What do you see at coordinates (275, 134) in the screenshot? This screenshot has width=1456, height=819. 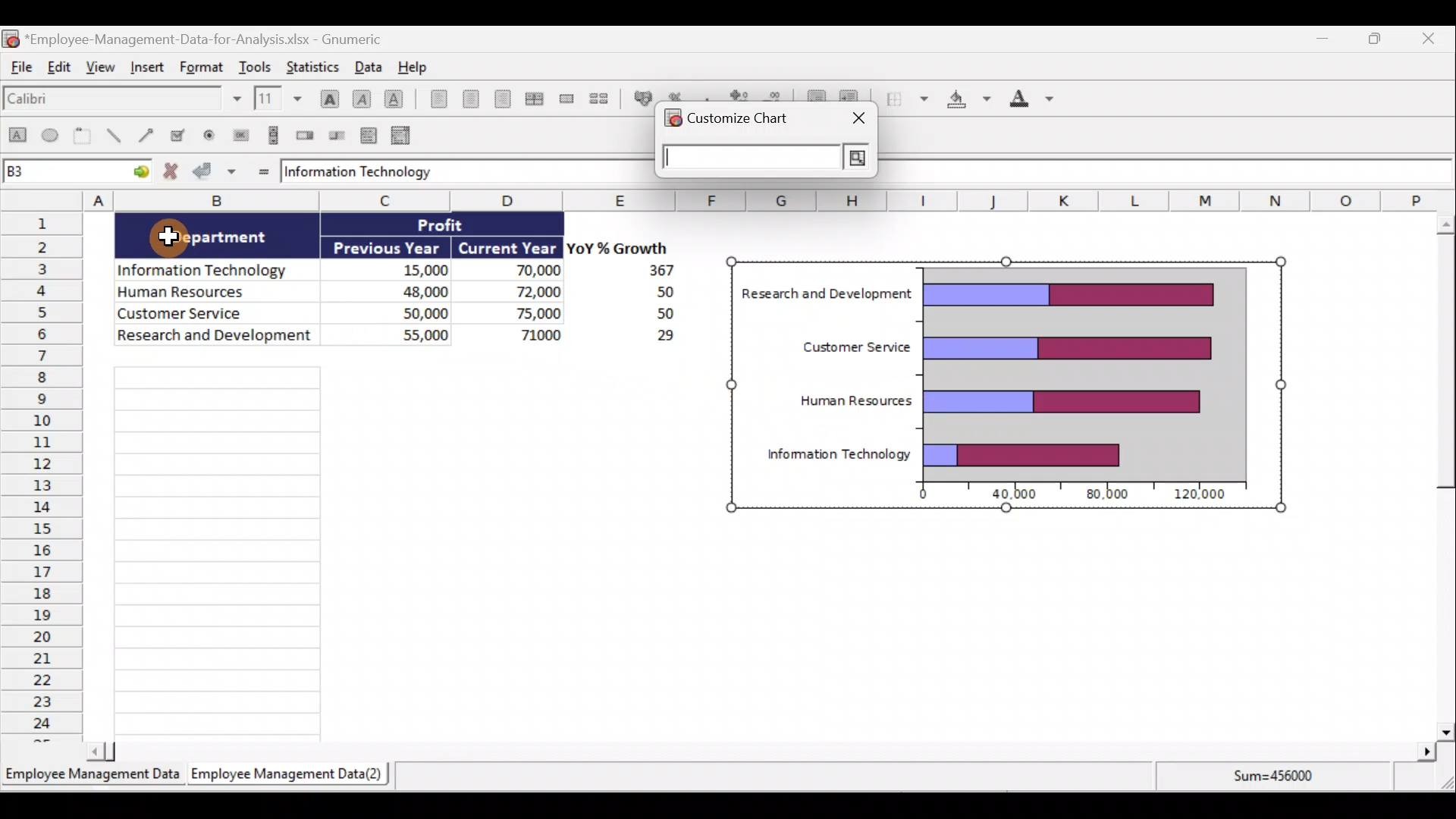 I see `Create a scrollbar` at bounding box center [275, 134].